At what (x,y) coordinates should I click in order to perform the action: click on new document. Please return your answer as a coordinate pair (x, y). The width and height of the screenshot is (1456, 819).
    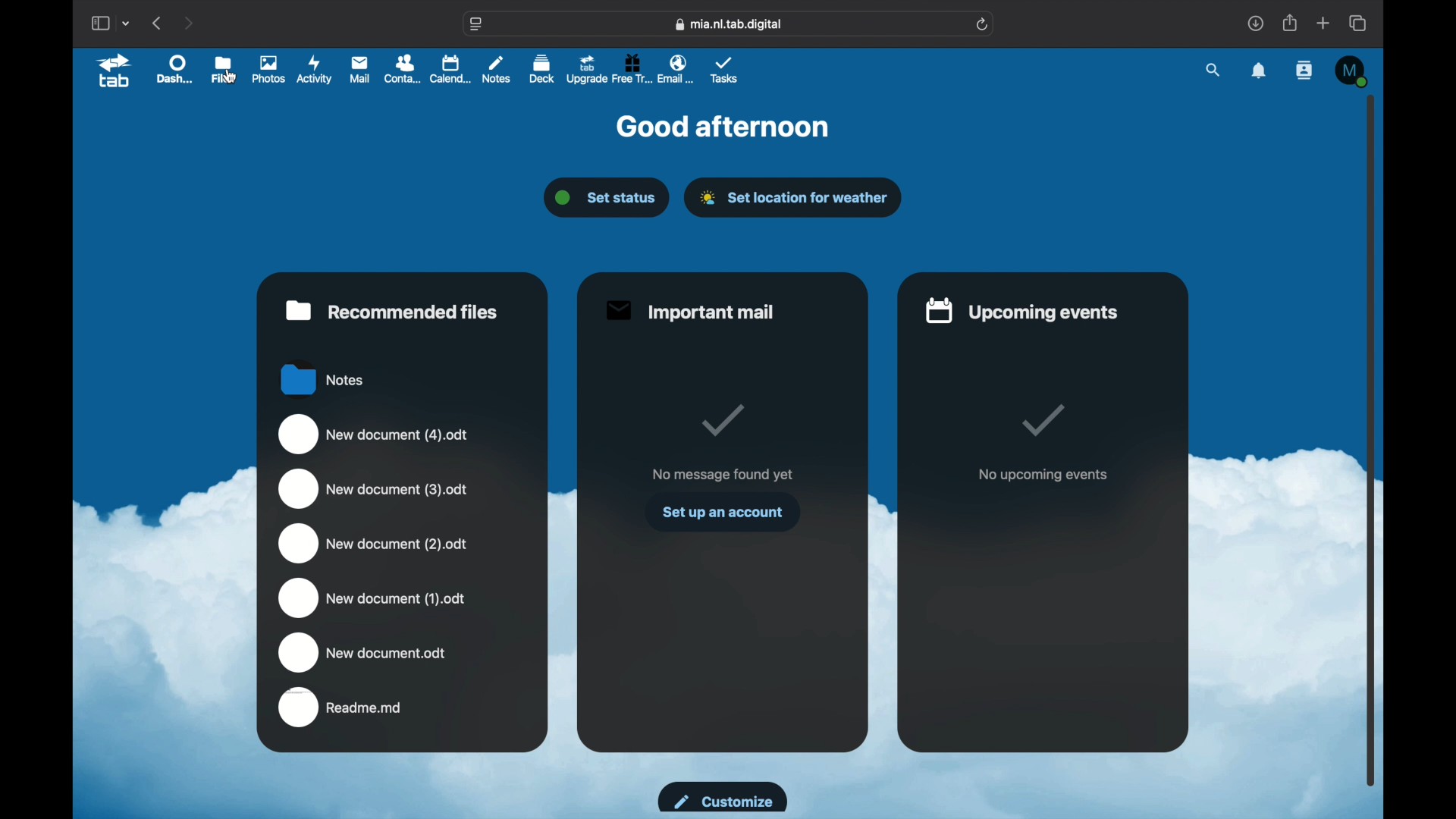
    Looking at the image, I should click on (375, 434).